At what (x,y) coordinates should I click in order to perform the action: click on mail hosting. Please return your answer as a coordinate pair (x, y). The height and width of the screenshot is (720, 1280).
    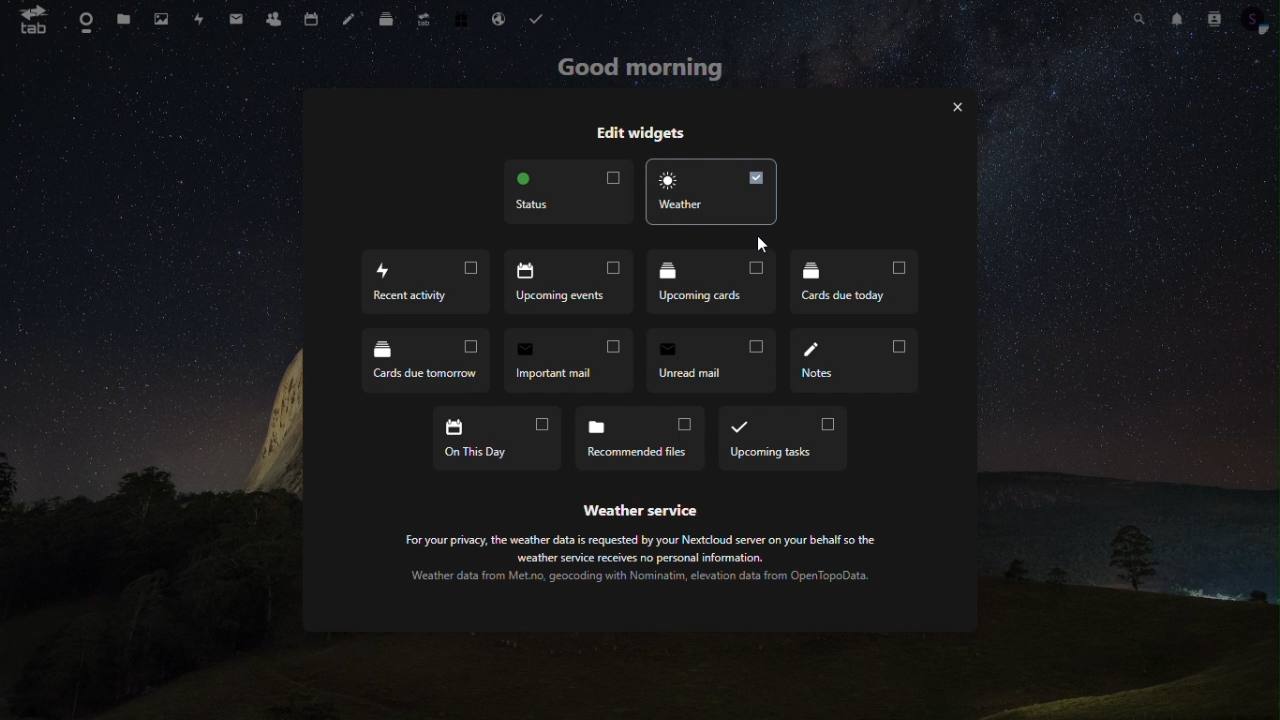
    Looking at the image, I should click on (500, 21).